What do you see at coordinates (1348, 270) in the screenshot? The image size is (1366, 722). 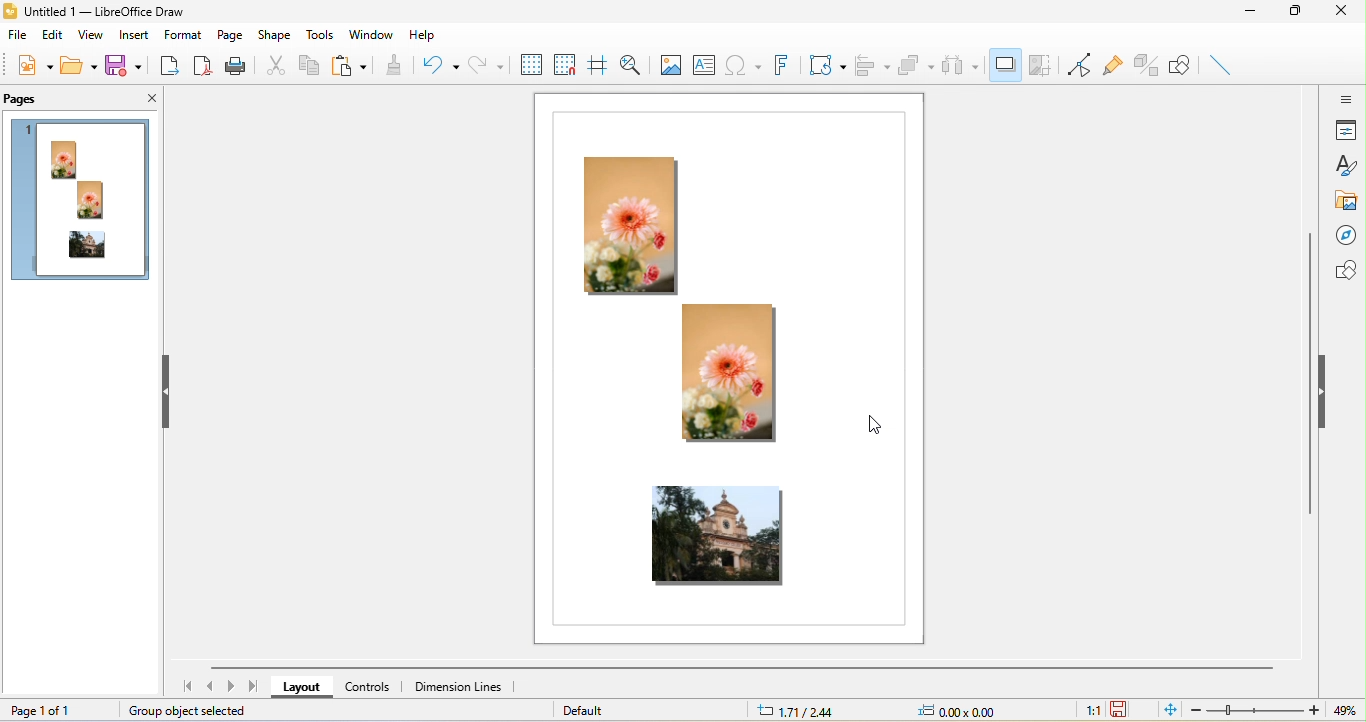 I see `shapes` at bounding box center [1348, 270].